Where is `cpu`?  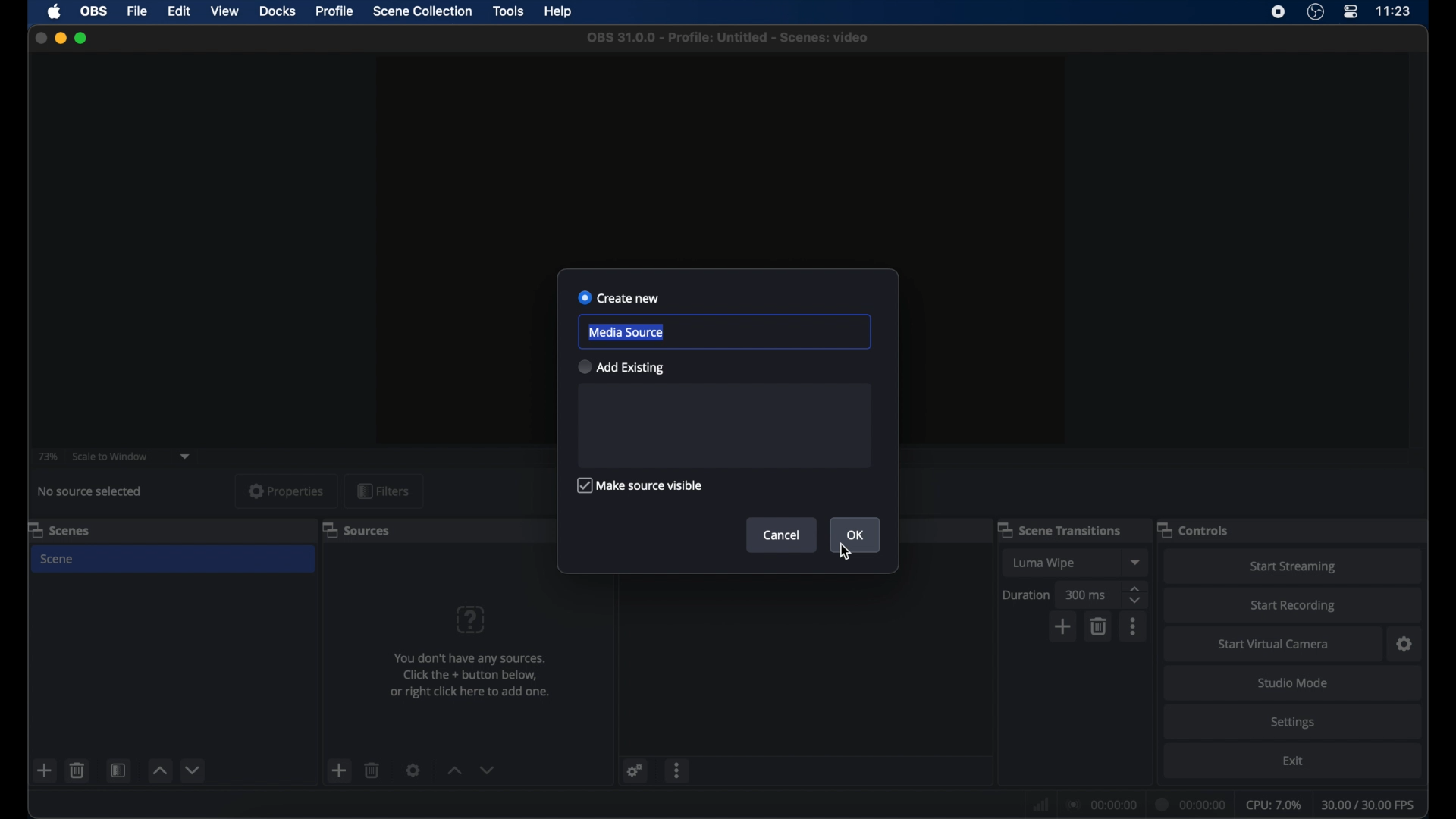
cpu is located at coordinates (1274, 805).